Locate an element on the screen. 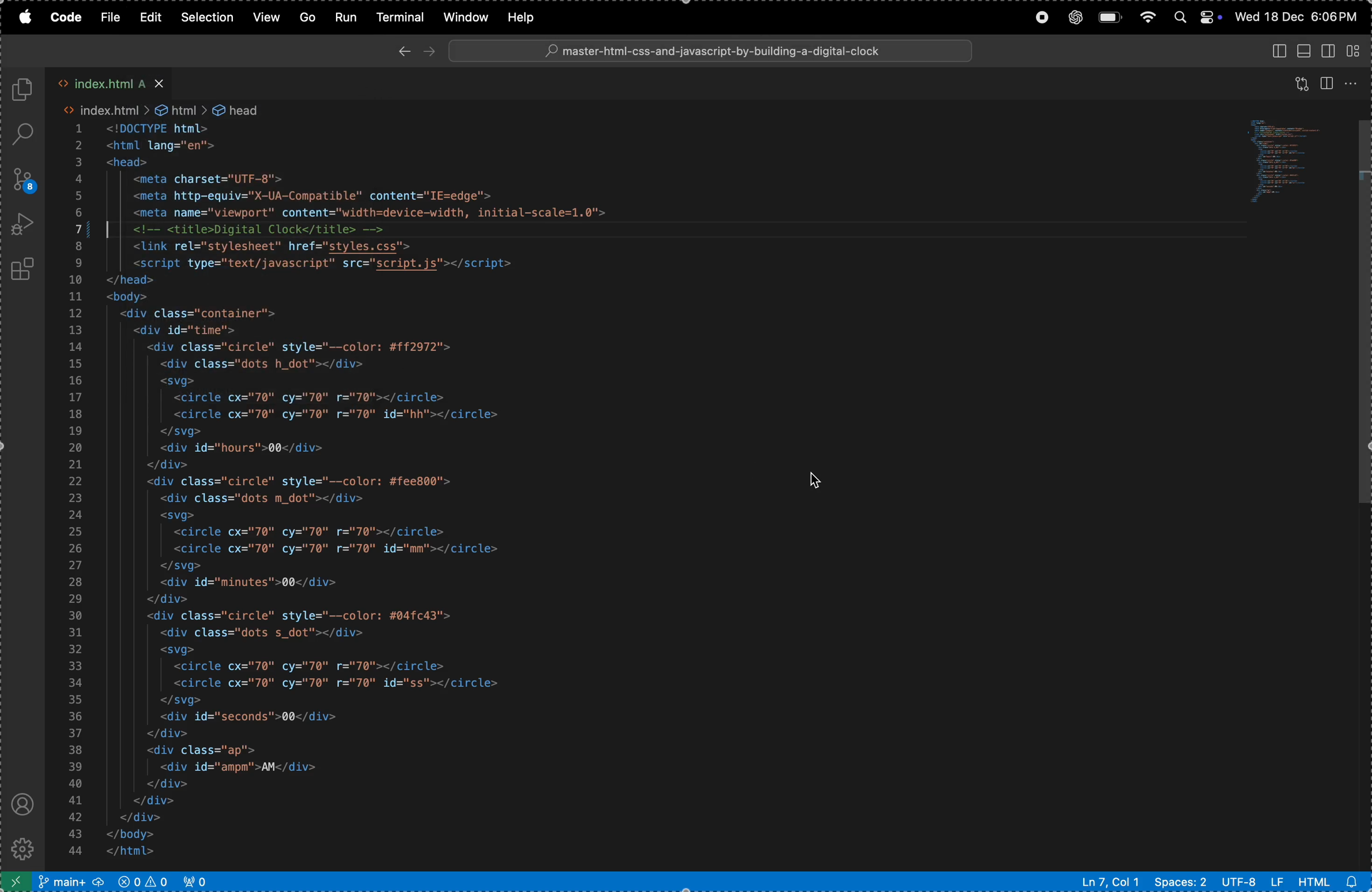  html file is located at coordinates (1331, 880).